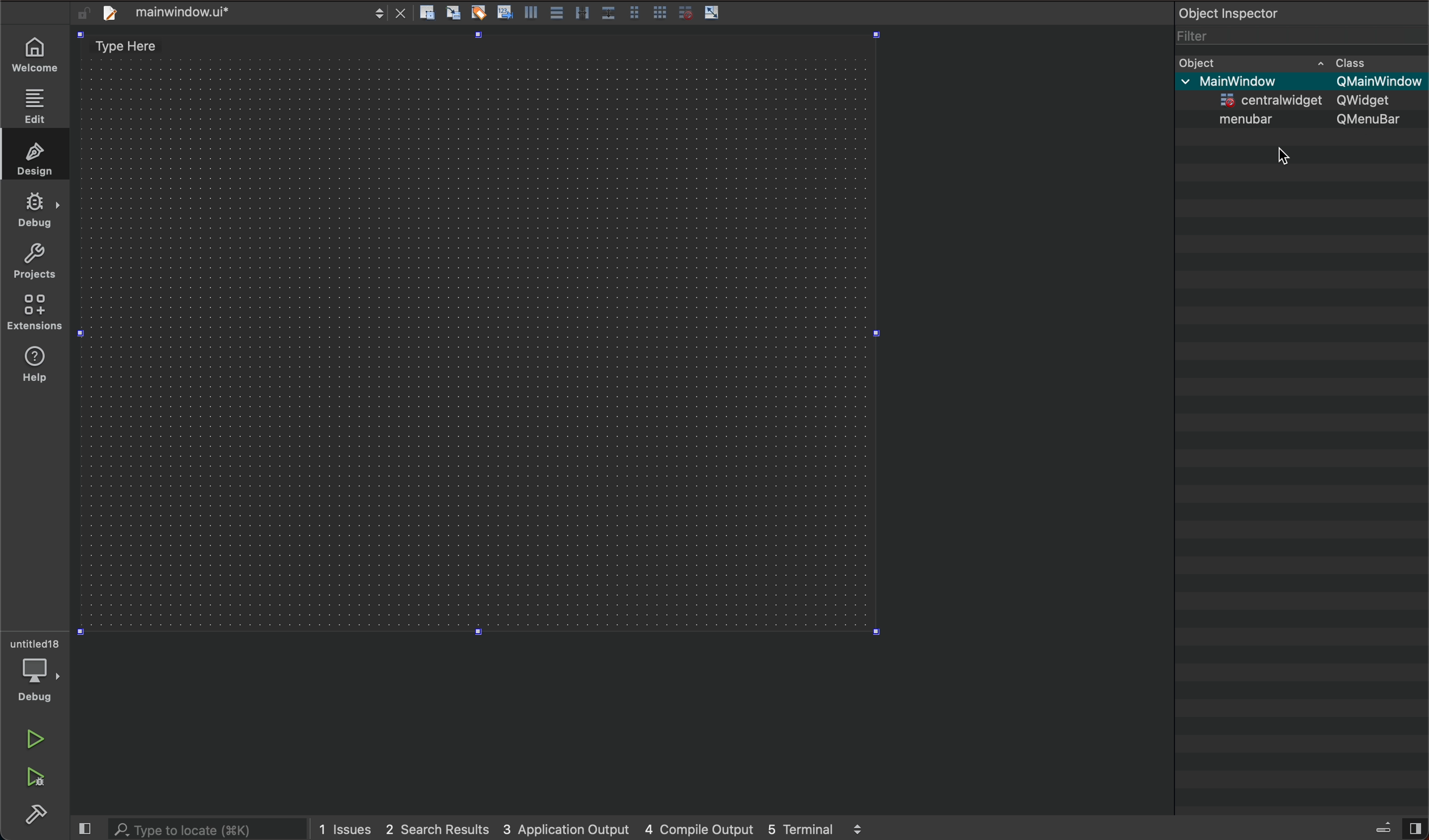 The image size is (1429, 840). What do you see at coordinates (484, 351) in the screenshot?
I see `design area` at bounding box center [484, 351].